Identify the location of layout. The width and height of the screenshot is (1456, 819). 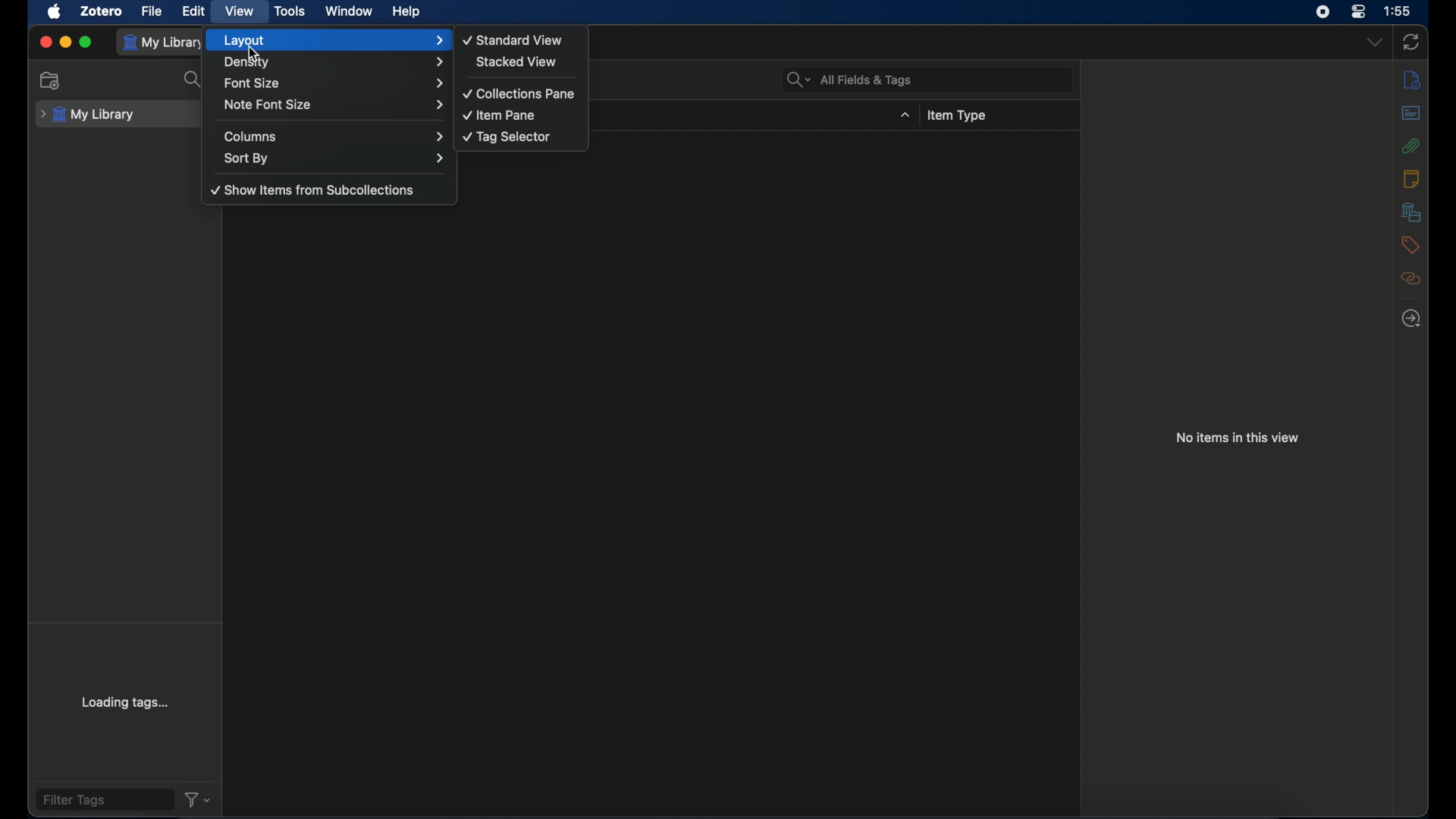
(334, 40).